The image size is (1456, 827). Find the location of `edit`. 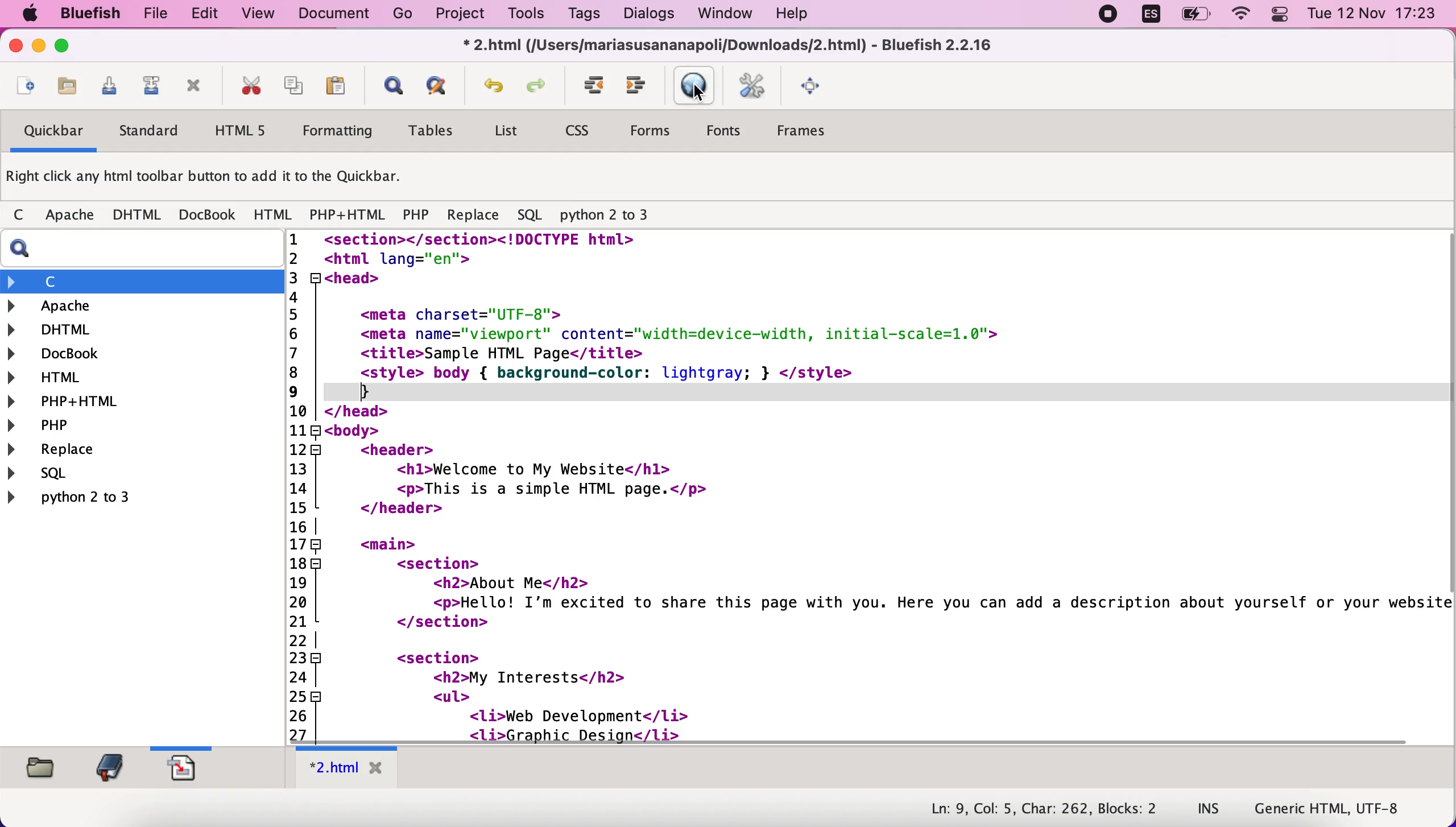

edit is located at coordinates (208, 15).